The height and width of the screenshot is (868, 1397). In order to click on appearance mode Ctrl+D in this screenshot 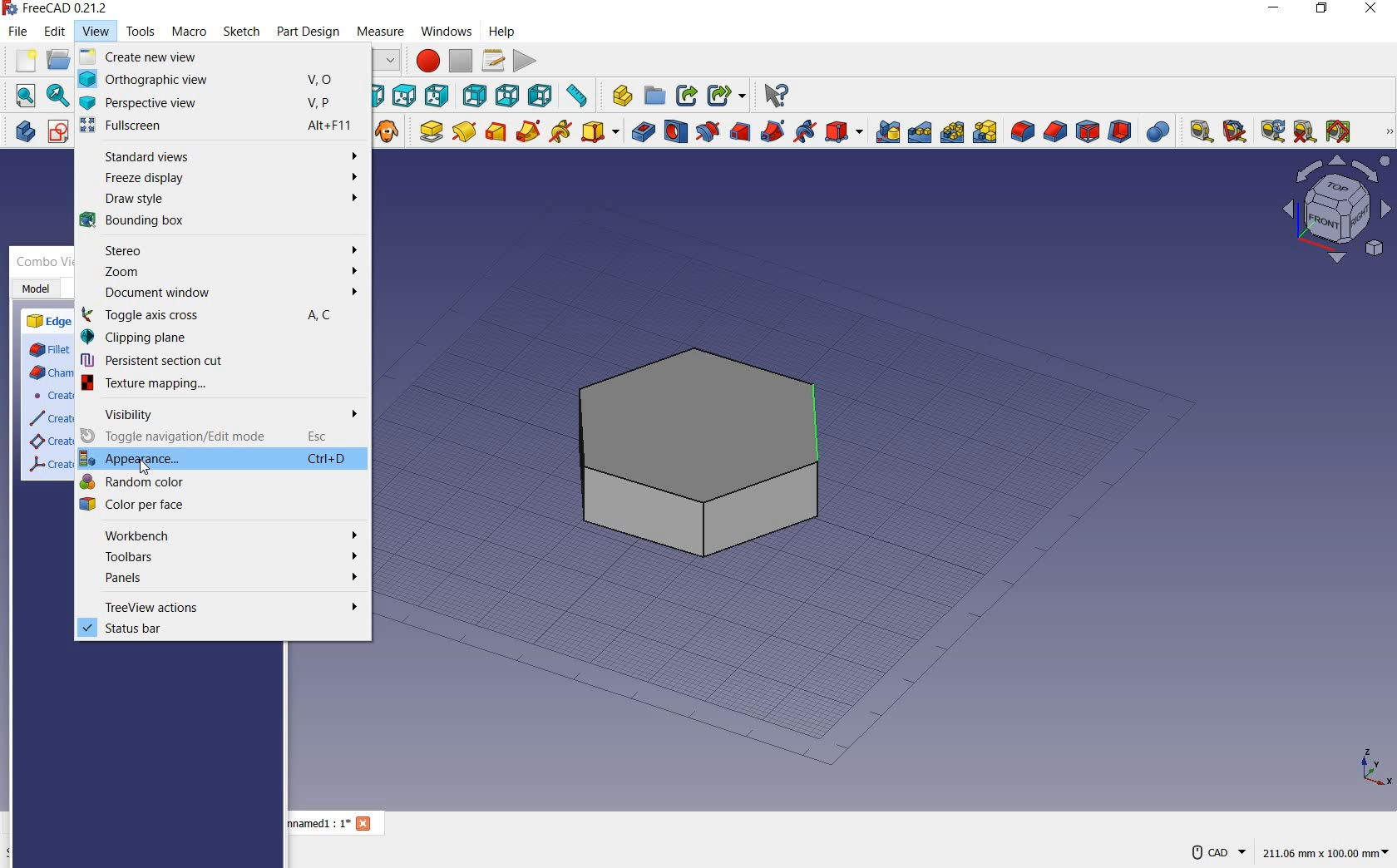, I will do `click(221, 461)`.